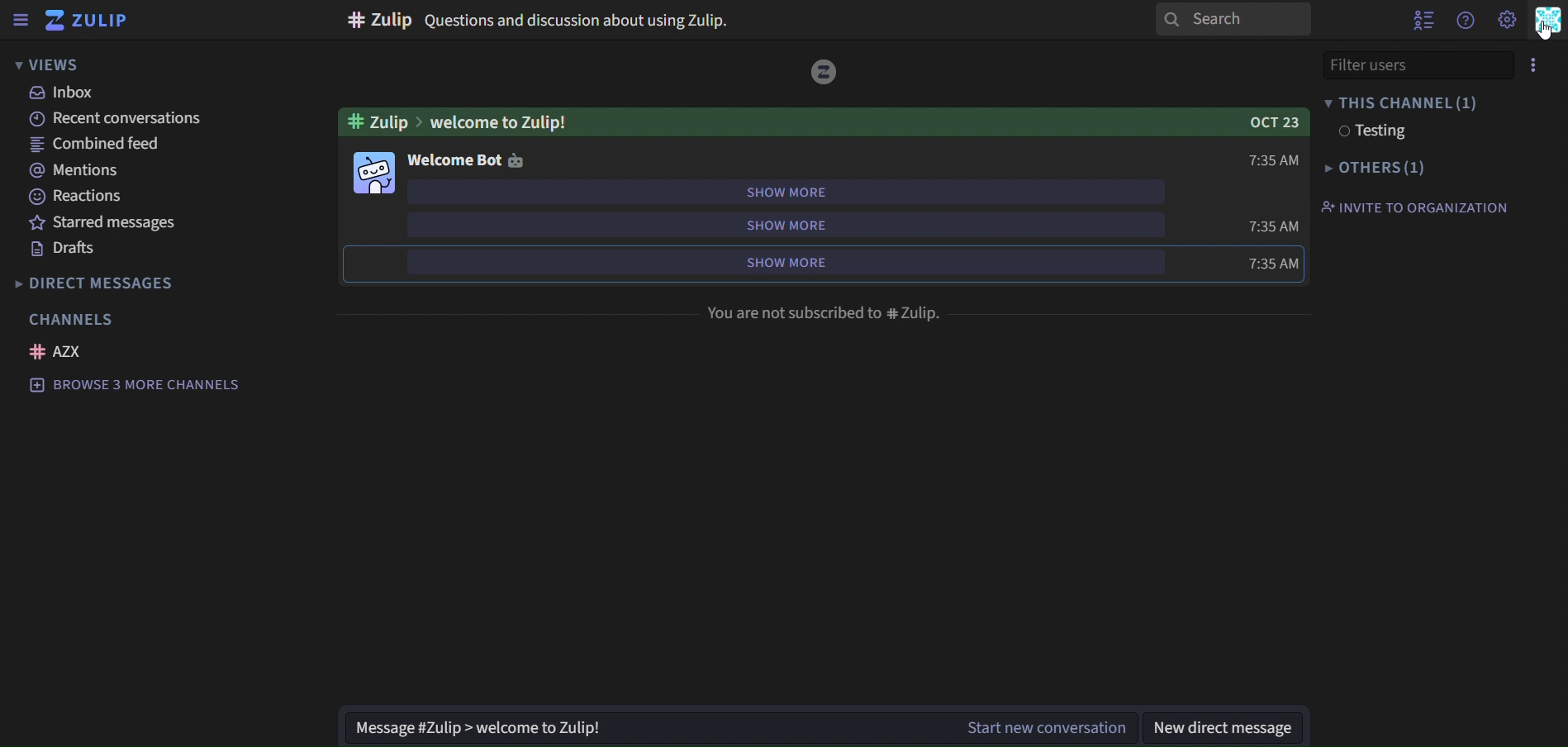  What do you see at coordinates (786, 263) in the screenshot?
I see `show more` at bounding box center [786, 263].